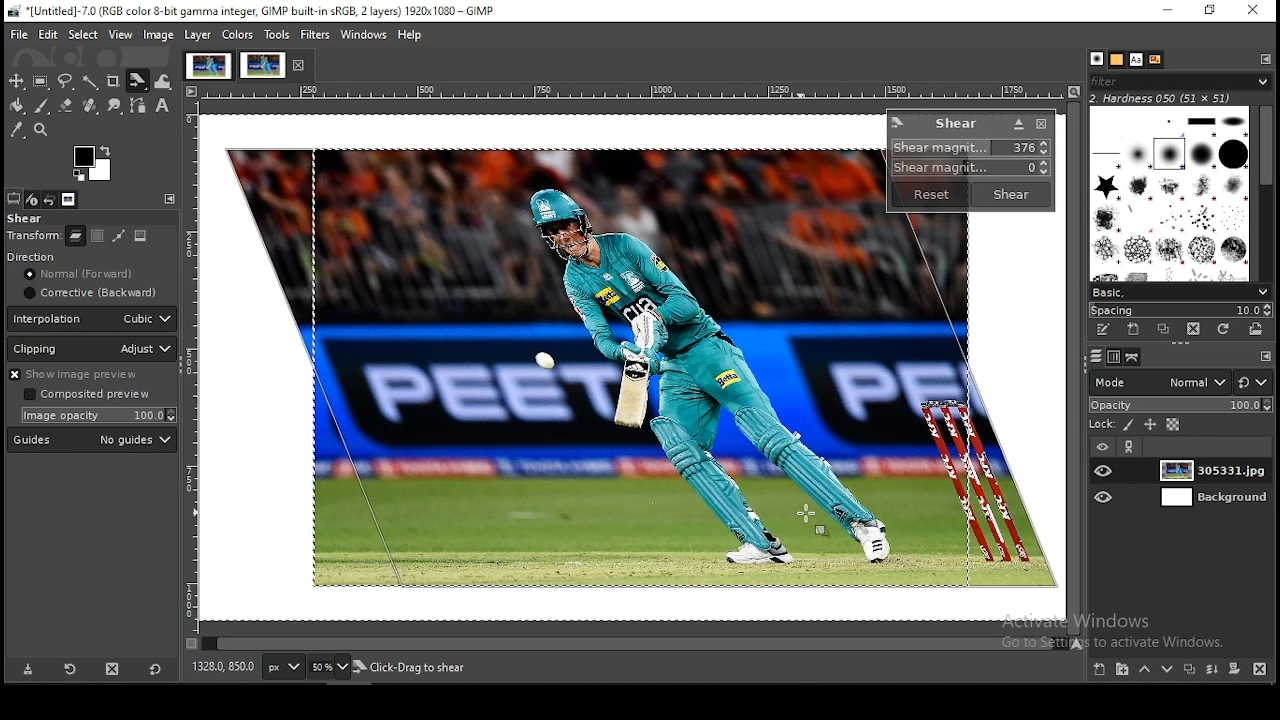  Describe the element at coordinates (634, 644) in the screenshot. I see `scroll bar` at that location.